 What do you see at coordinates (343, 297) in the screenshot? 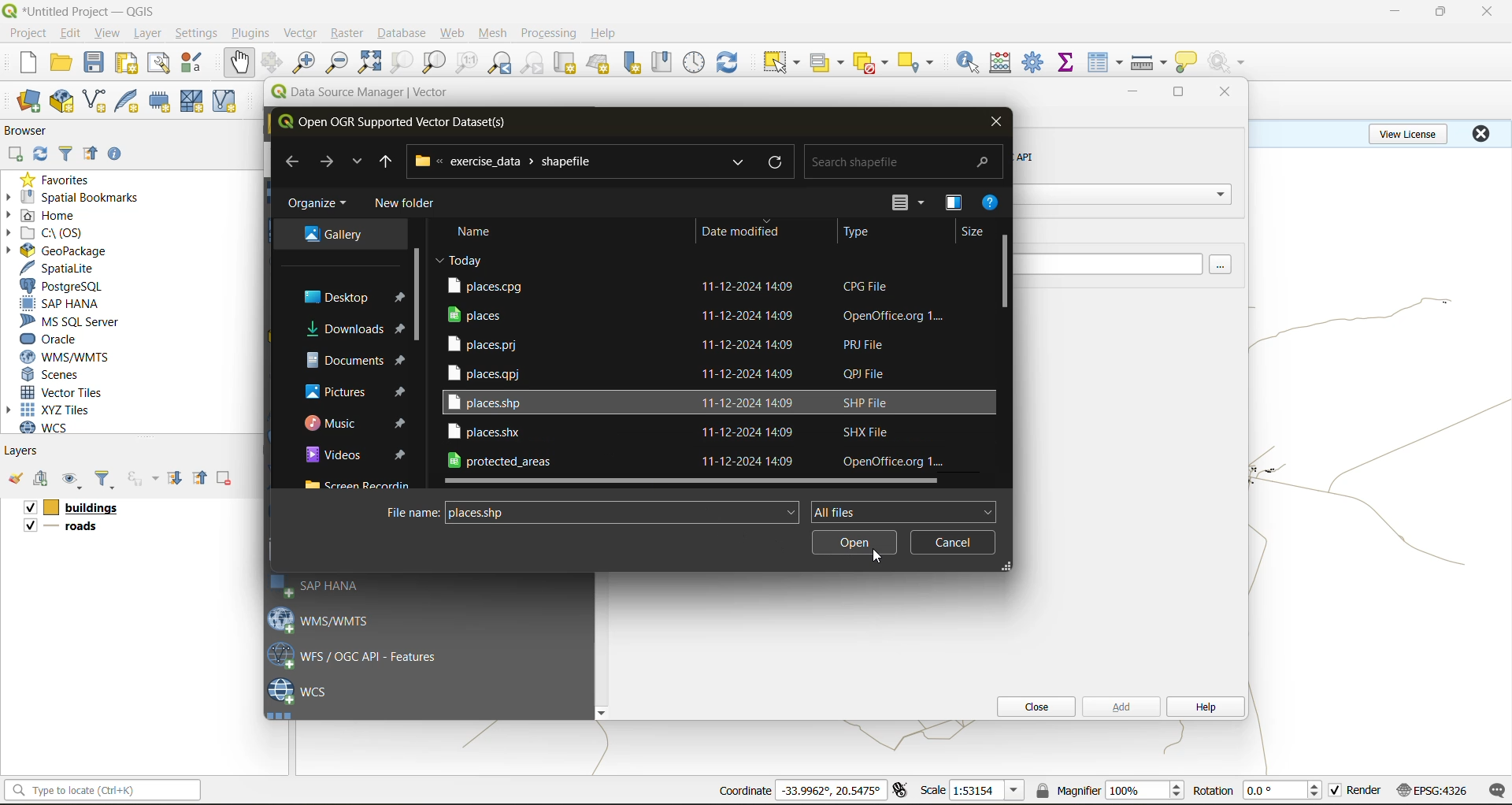
I see `folder explorer` at bounding box center [343, 297].